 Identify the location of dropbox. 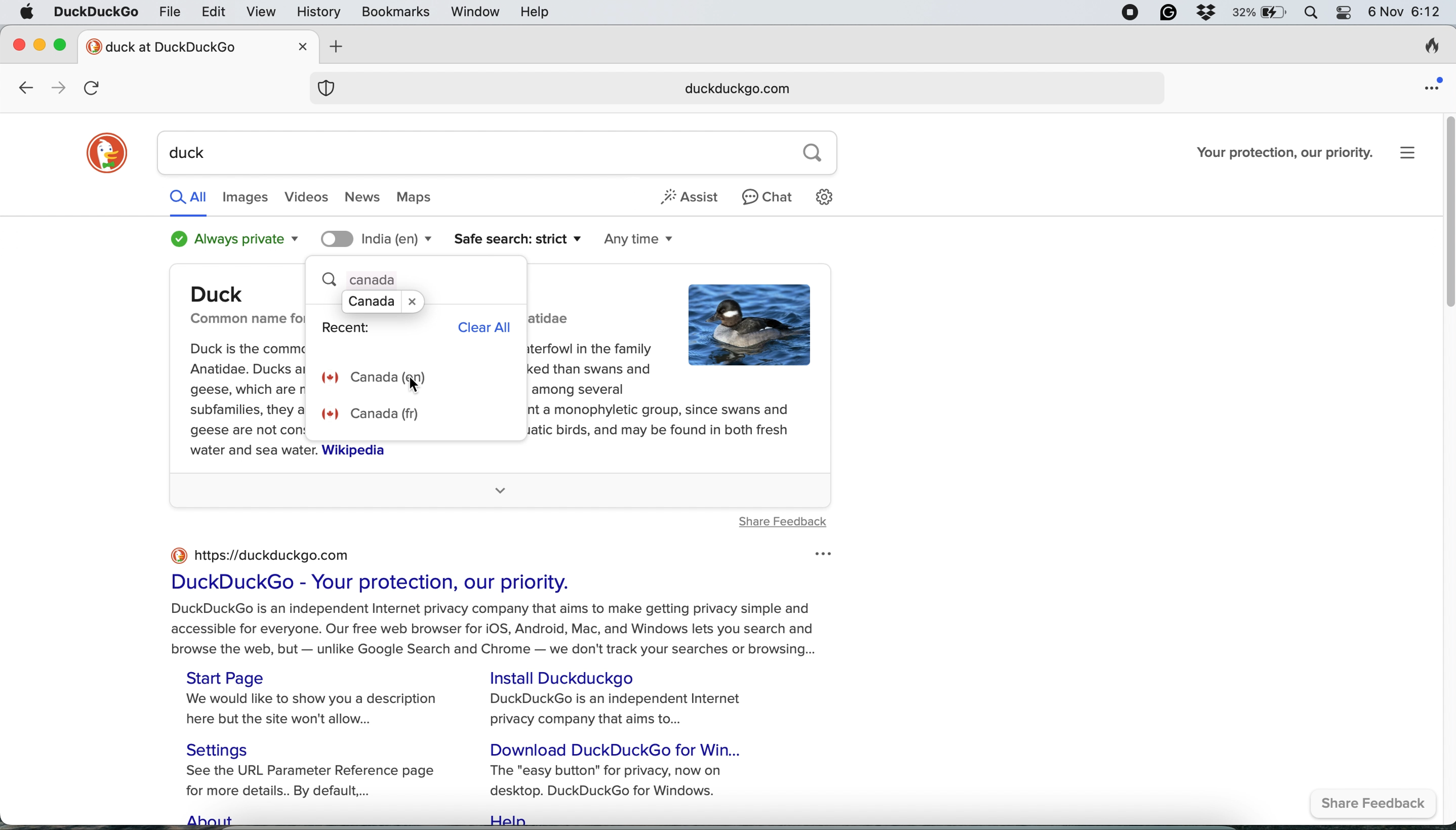
(1206, 13).